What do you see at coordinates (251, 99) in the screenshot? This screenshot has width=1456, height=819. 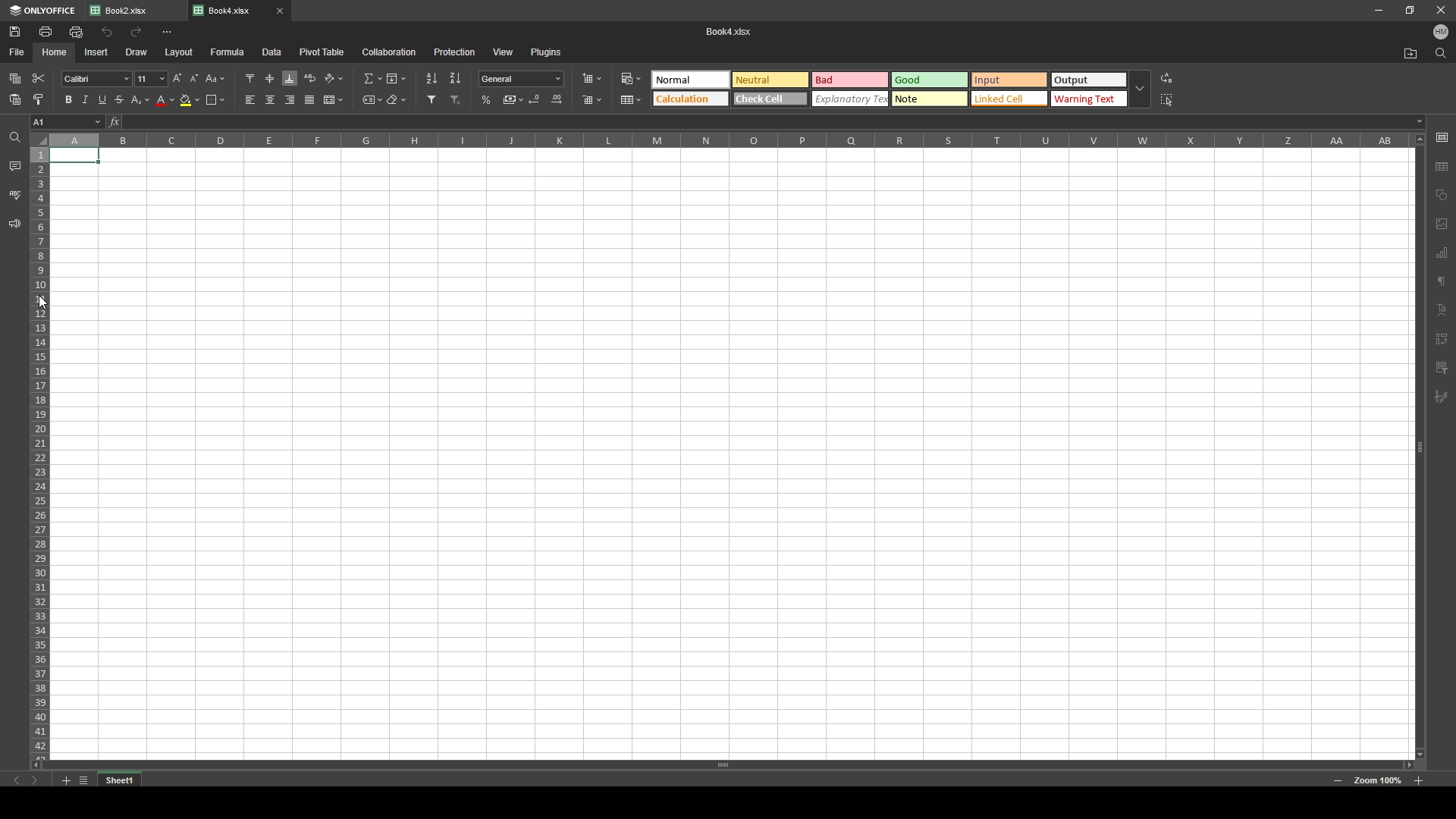 I see `align left` at bounding box center [251, 99].